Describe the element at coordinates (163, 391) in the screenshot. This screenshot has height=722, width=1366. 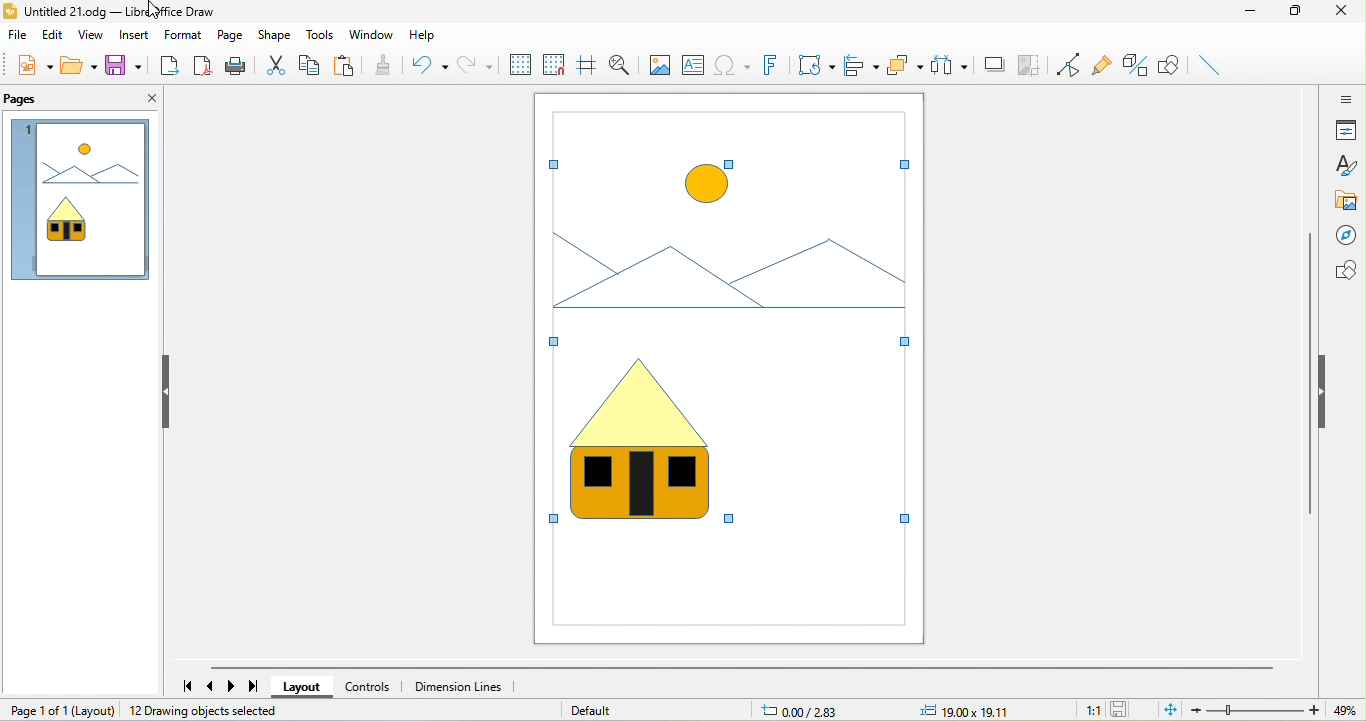
I see `hide` at that location.